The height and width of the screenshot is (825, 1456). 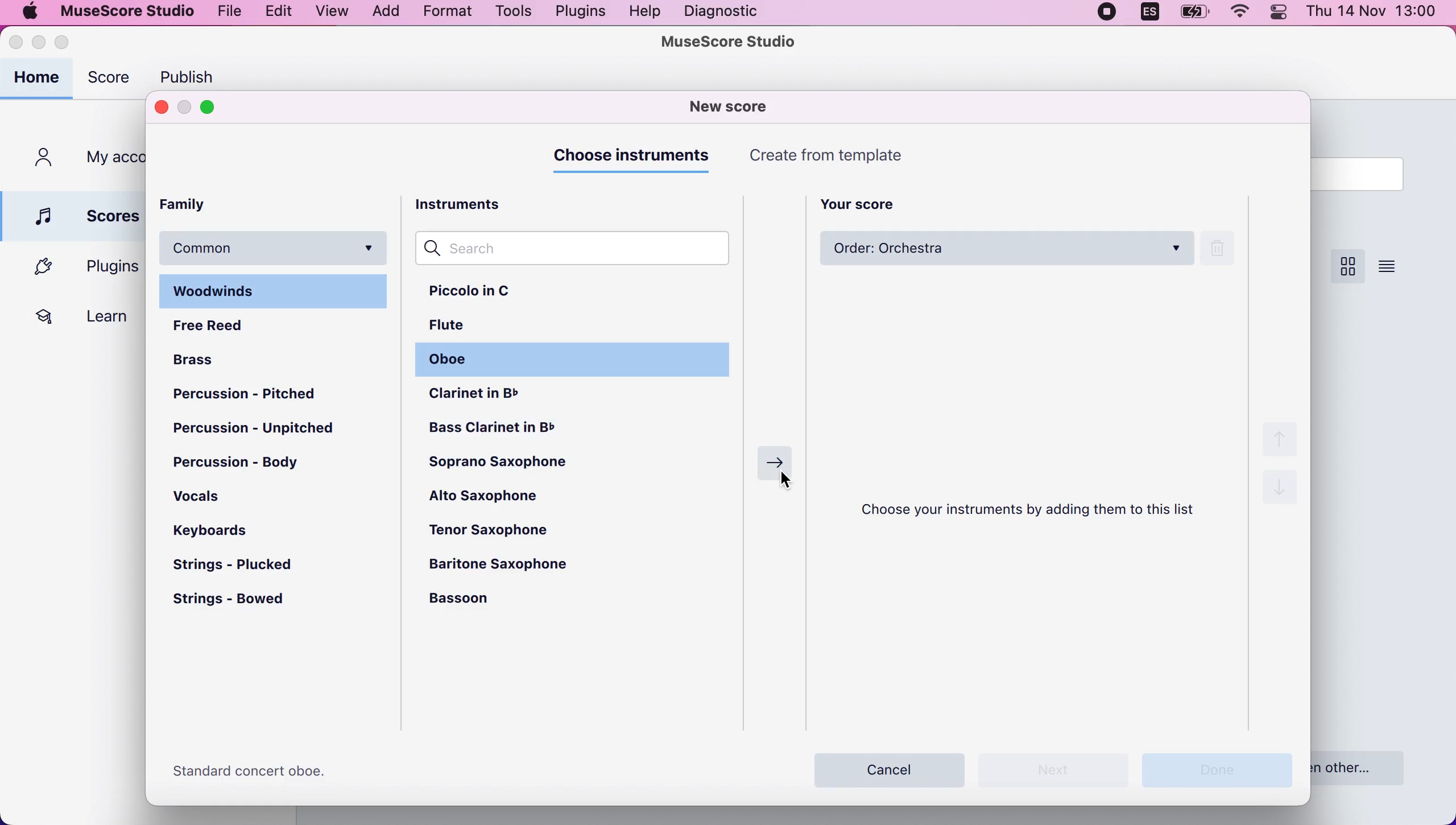 I want to click on strings-plucked, so click(x=244, y=565).